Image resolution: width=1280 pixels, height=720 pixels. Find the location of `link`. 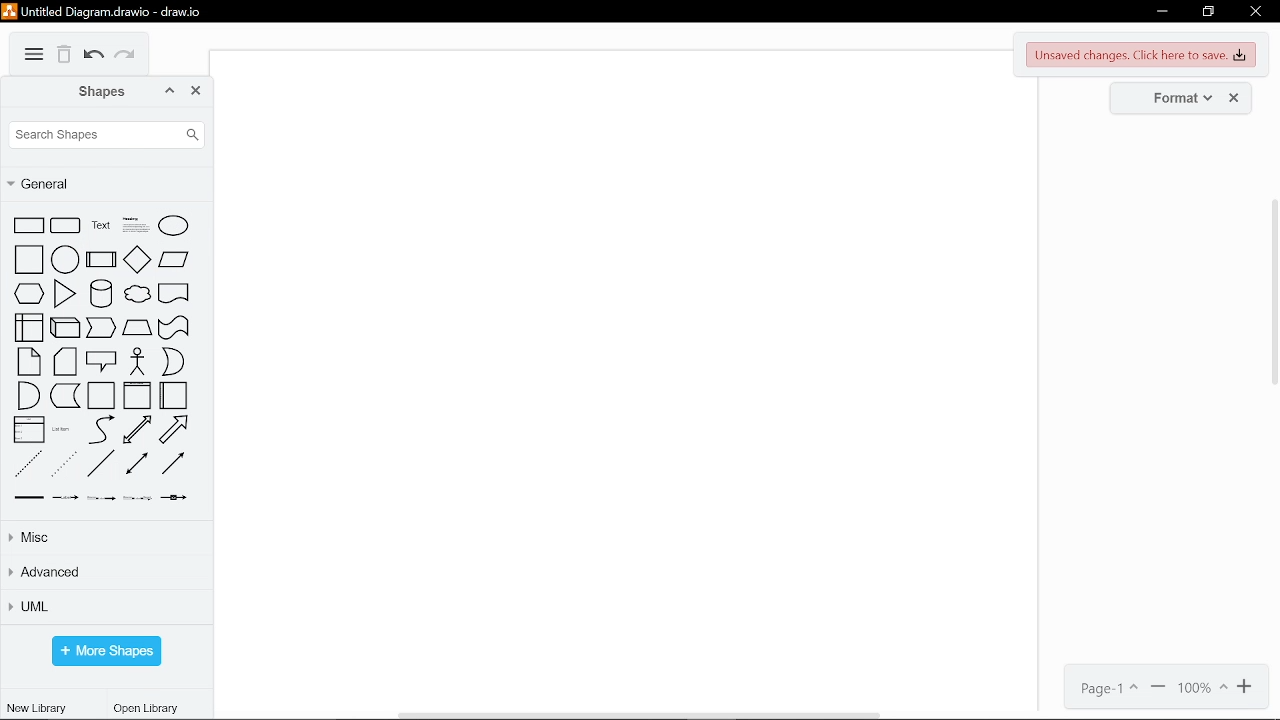

link is located at coordinates (30, 497).